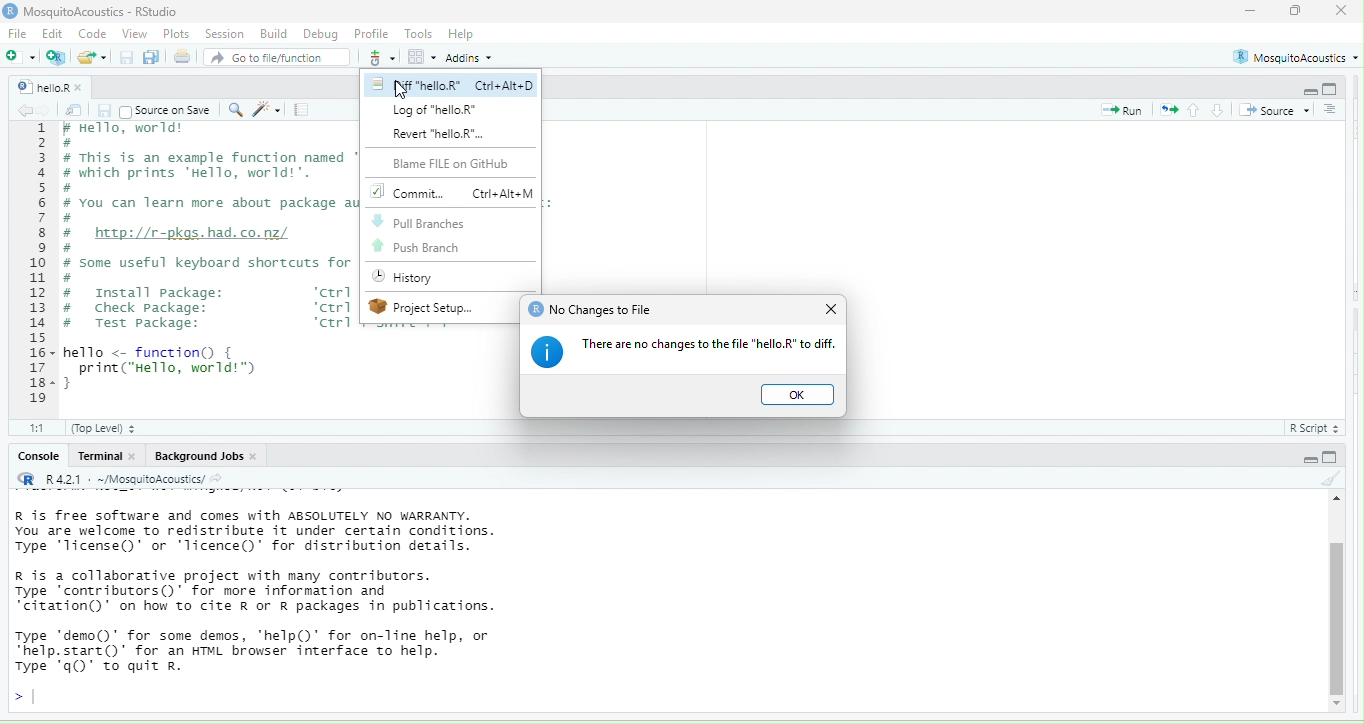 Image resolution: width=1364 pixels, height=724 pixels. I want to click on Revert "helloR"., so click(441, 135).